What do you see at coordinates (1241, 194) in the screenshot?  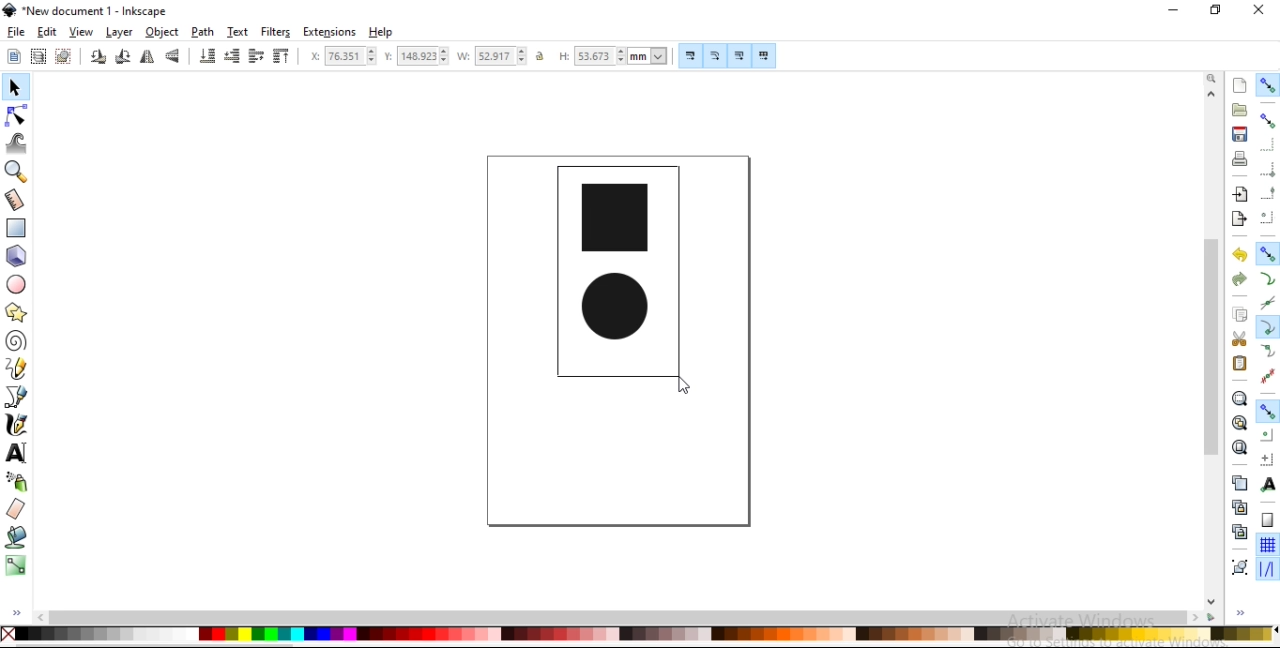 I see `import a bitmap` at bounding box center [1241, 194].